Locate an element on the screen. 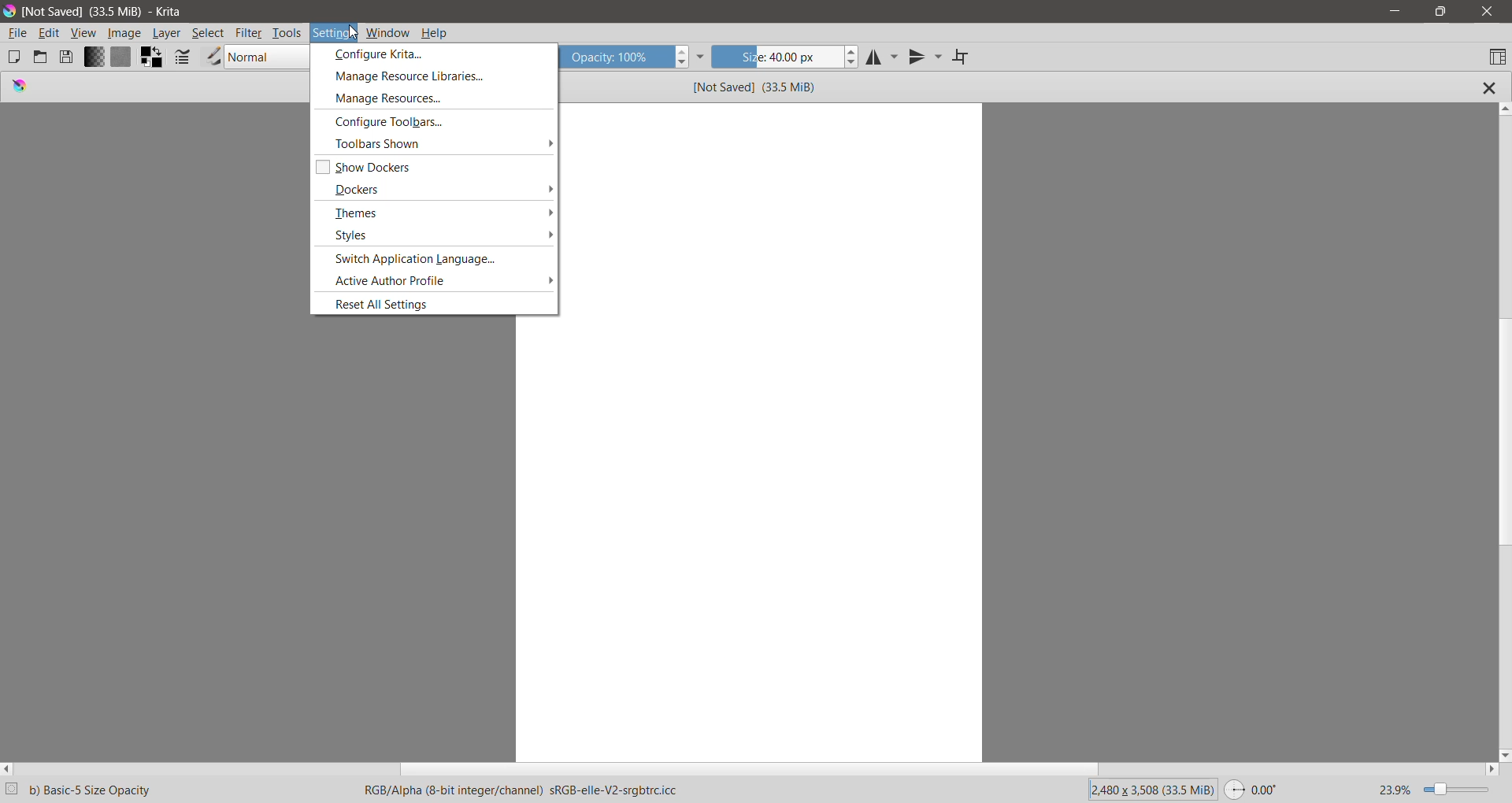 The height and width of the screenshot is (803, 1512). File is located at coordinates (15, 33).